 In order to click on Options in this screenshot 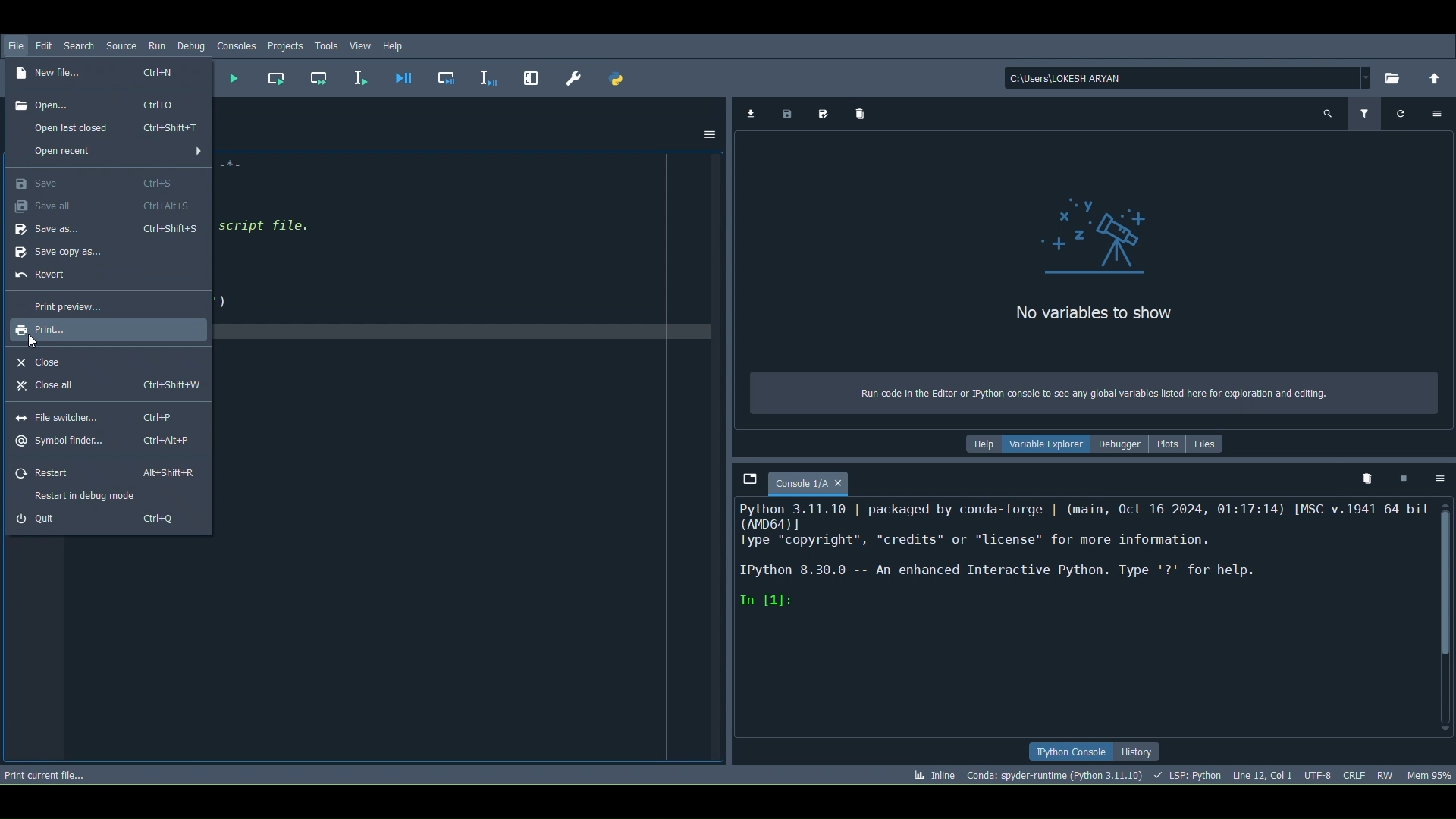, I will do `click(1439, 480)`.